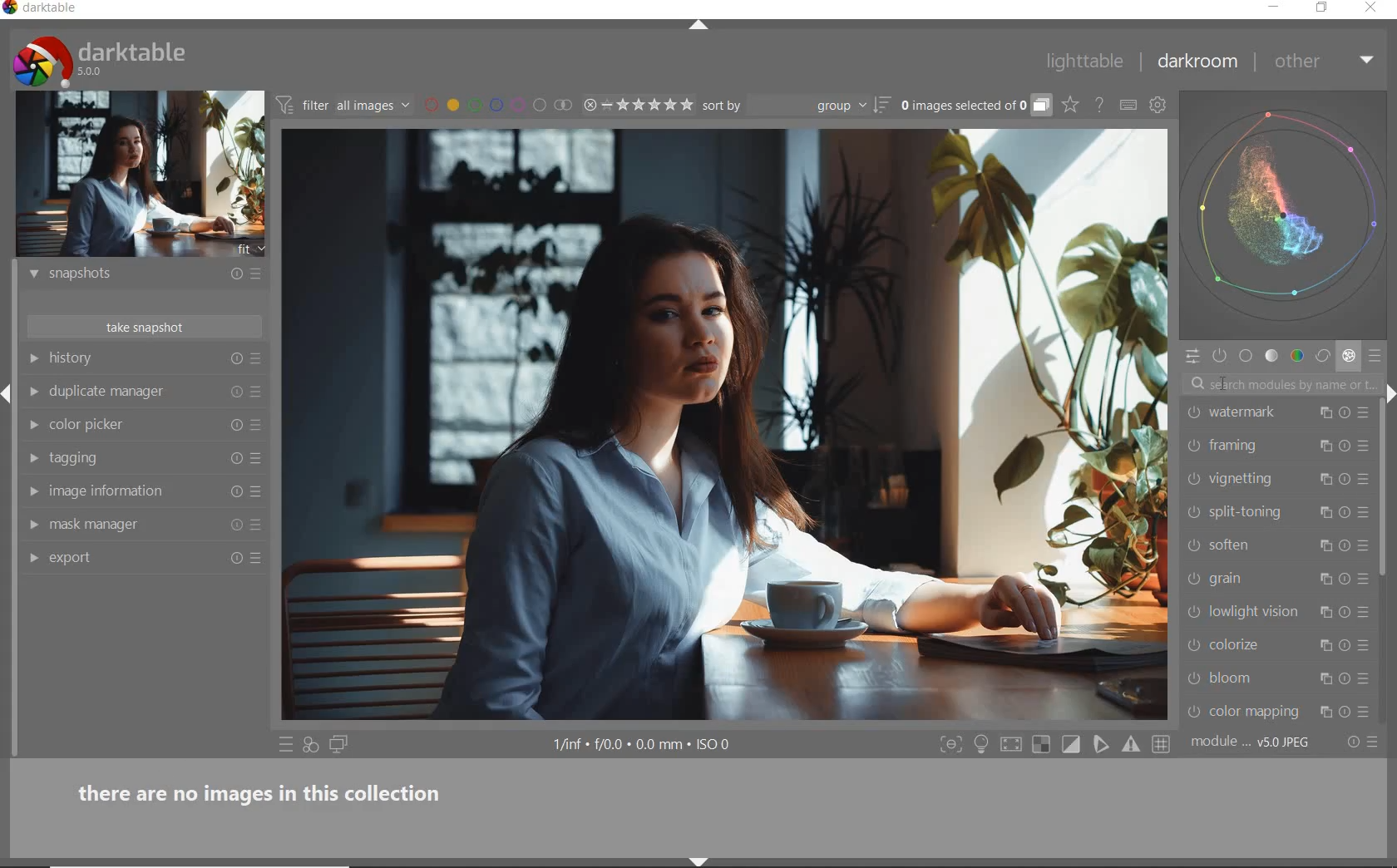  Describe the element at coordinates (1296, 357) in the screenshot. I see `color` at that location.